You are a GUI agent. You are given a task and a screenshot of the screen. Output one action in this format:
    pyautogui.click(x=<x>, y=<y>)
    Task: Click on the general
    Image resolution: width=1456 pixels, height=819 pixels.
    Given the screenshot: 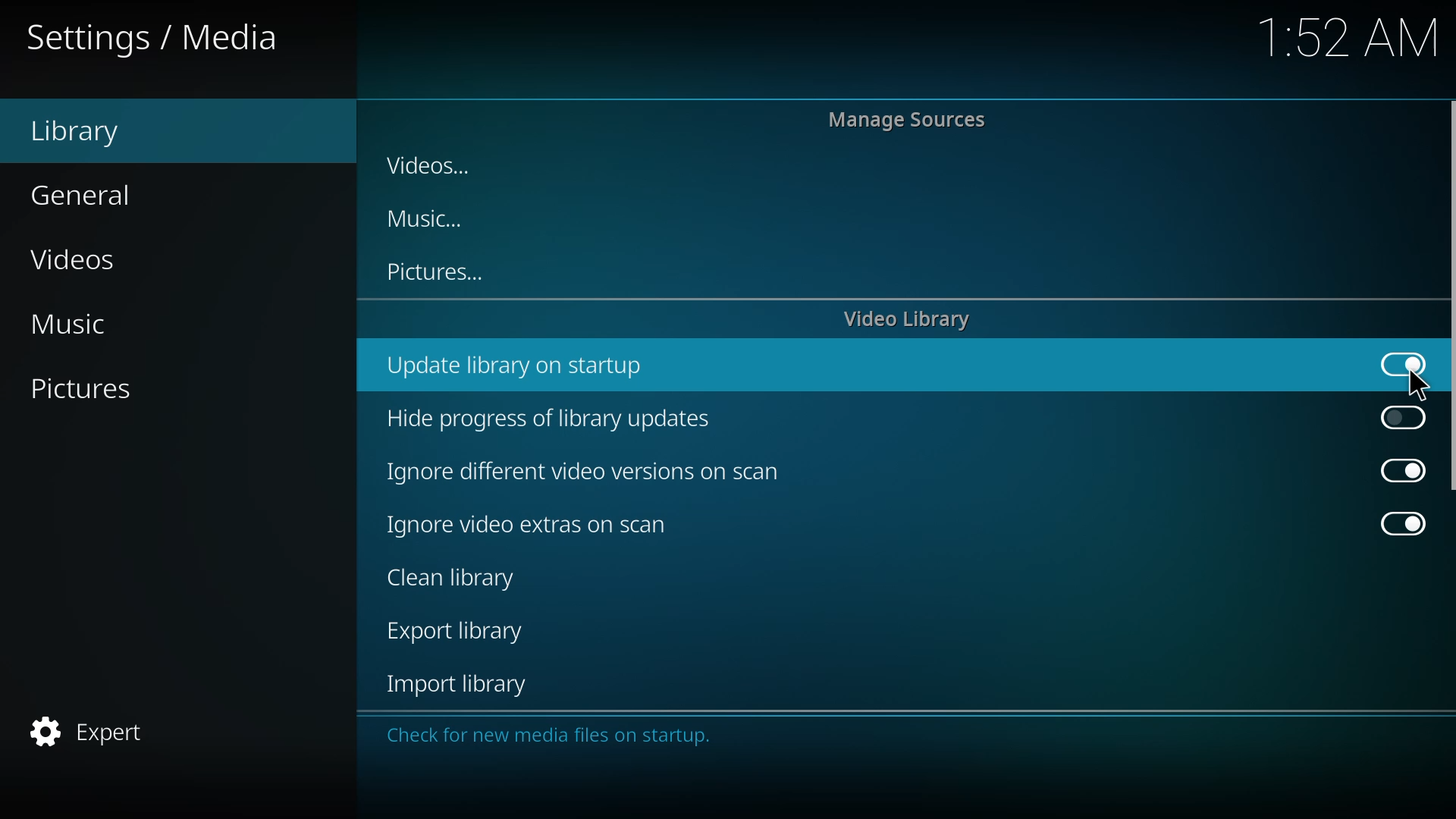 What is the action you would take?
    pyautogui.click(x=88, y=193)
    